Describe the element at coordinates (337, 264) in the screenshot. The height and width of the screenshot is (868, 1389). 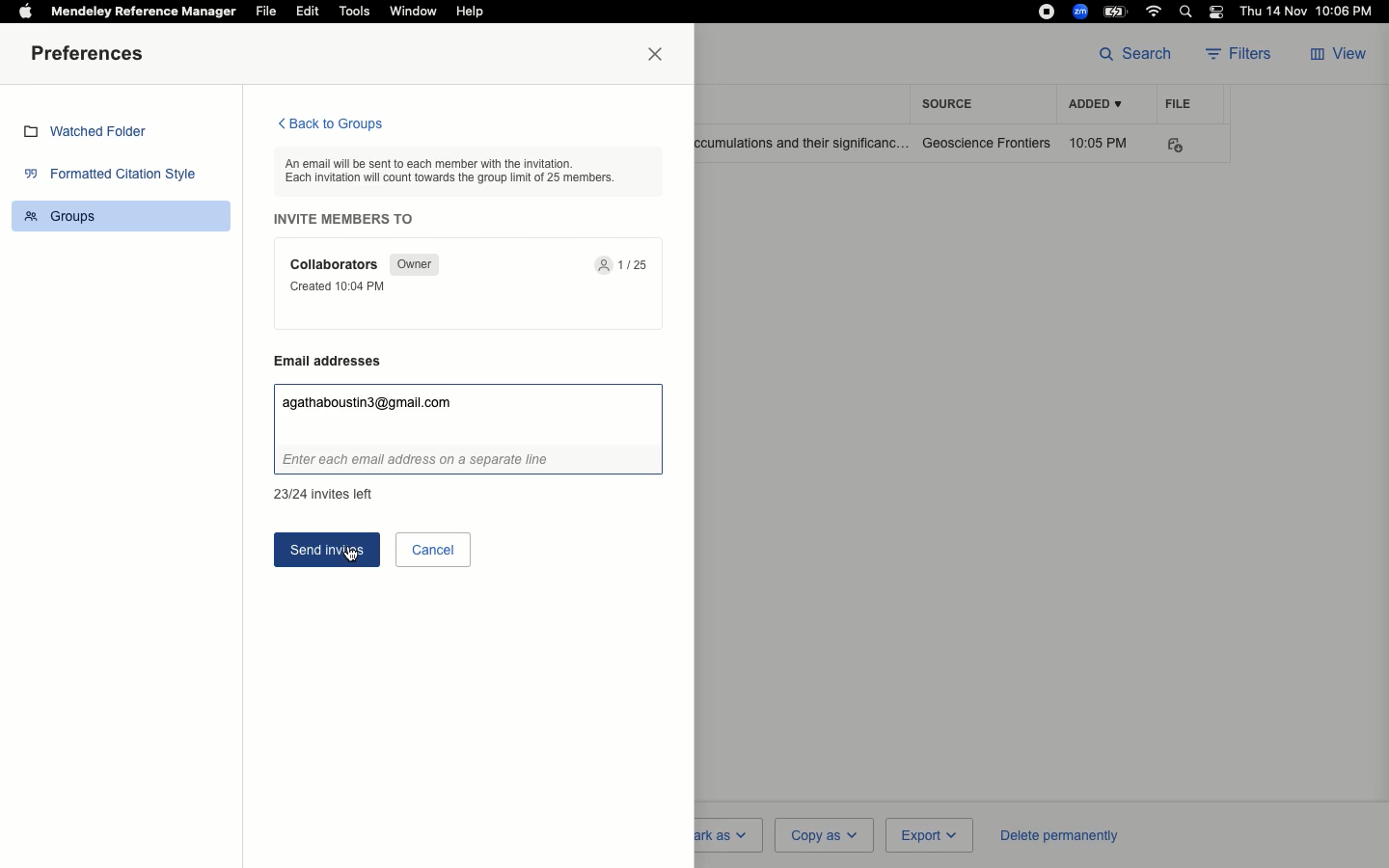
I see `Collaborators` at that location.